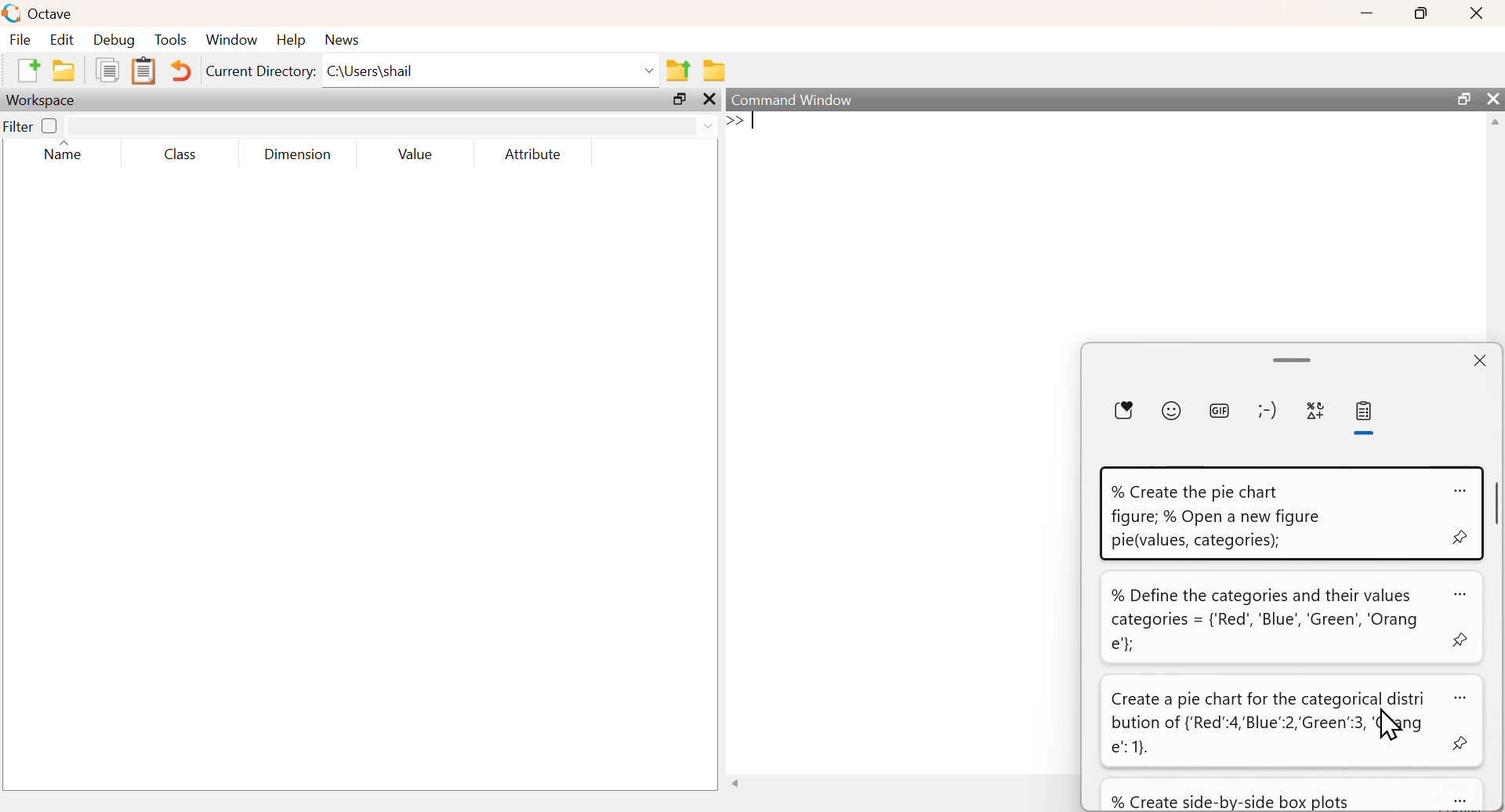  I want to click on pin, so click(1460, 638).